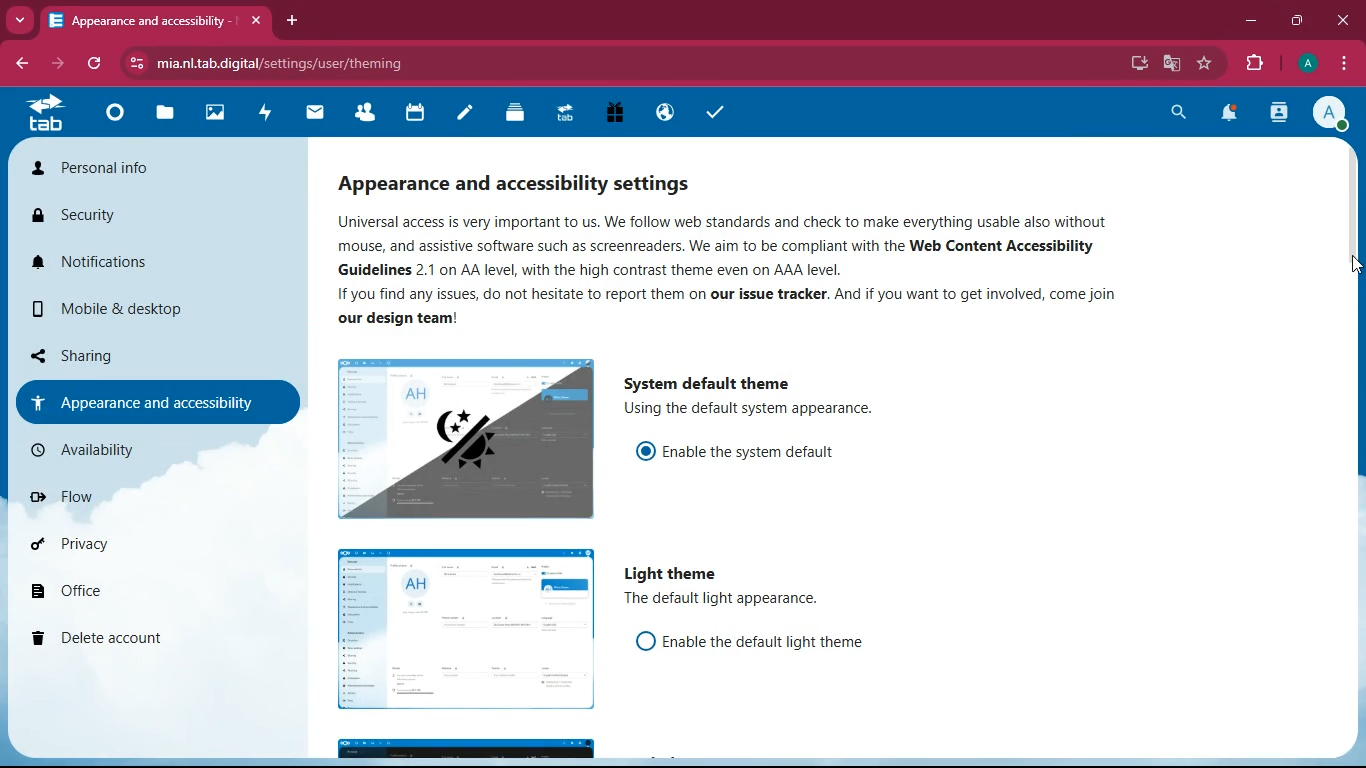  I want to click on home, so click(110, 119).